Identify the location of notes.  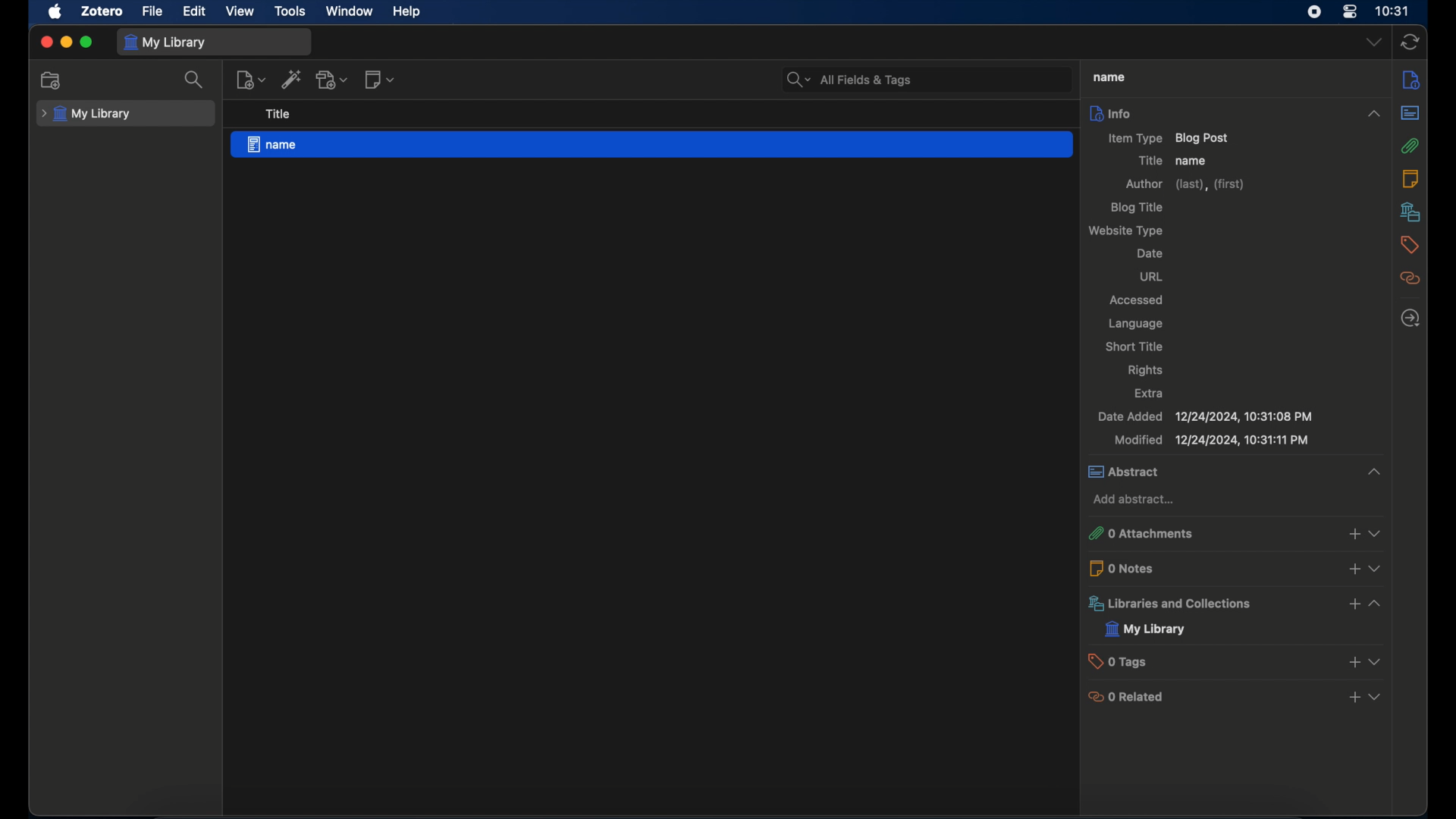
(1410, 177).